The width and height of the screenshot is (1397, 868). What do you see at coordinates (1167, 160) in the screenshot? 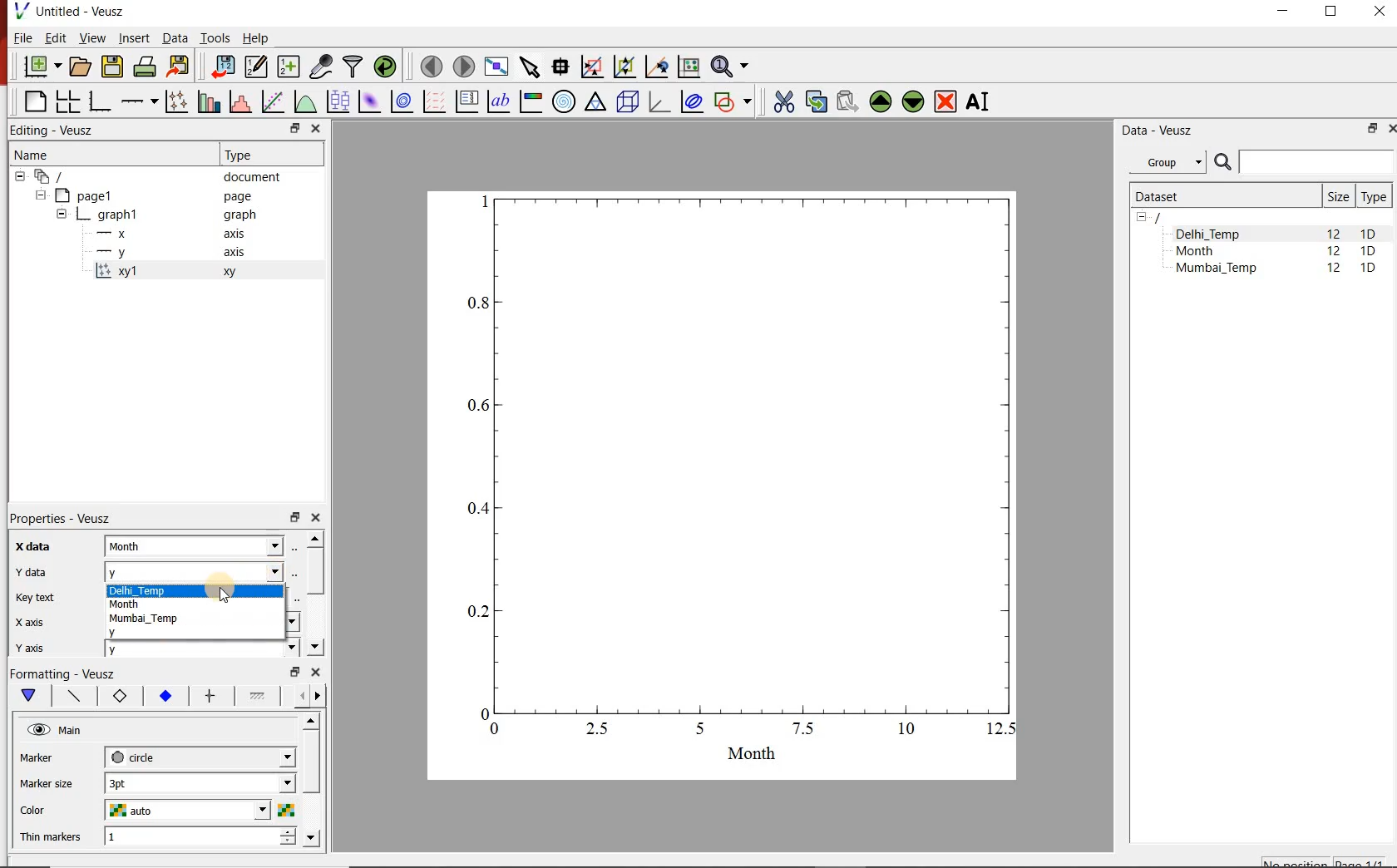
I see `Group` at bounding box center [1167, 160].